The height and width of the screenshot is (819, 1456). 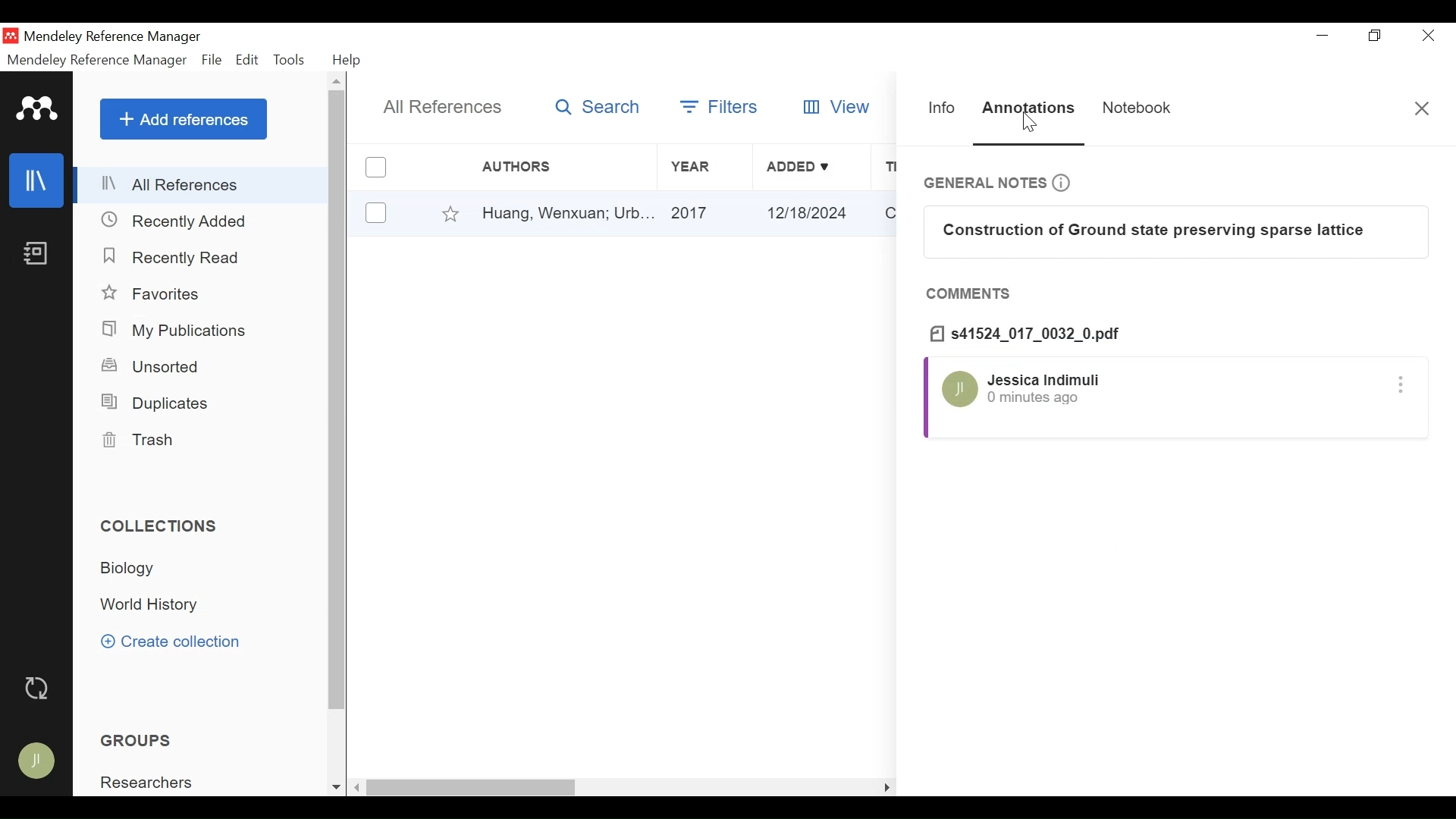 What do you see at coordinates (158, 367) in the screenshot?
I see `Unsorted` at bounding box center [158, 367].